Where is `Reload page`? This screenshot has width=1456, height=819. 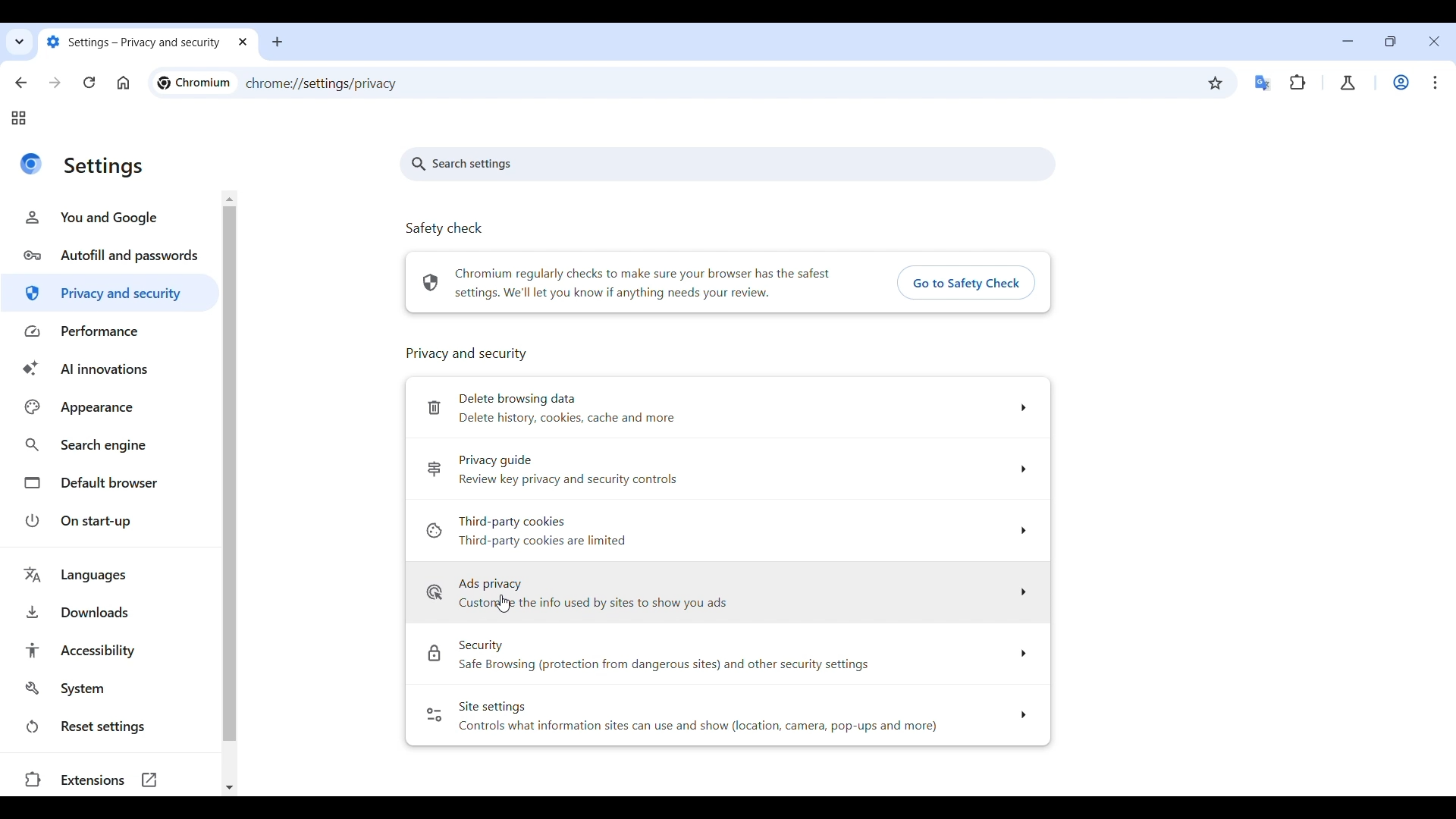 Reload page is located at coordinates (89, 83).